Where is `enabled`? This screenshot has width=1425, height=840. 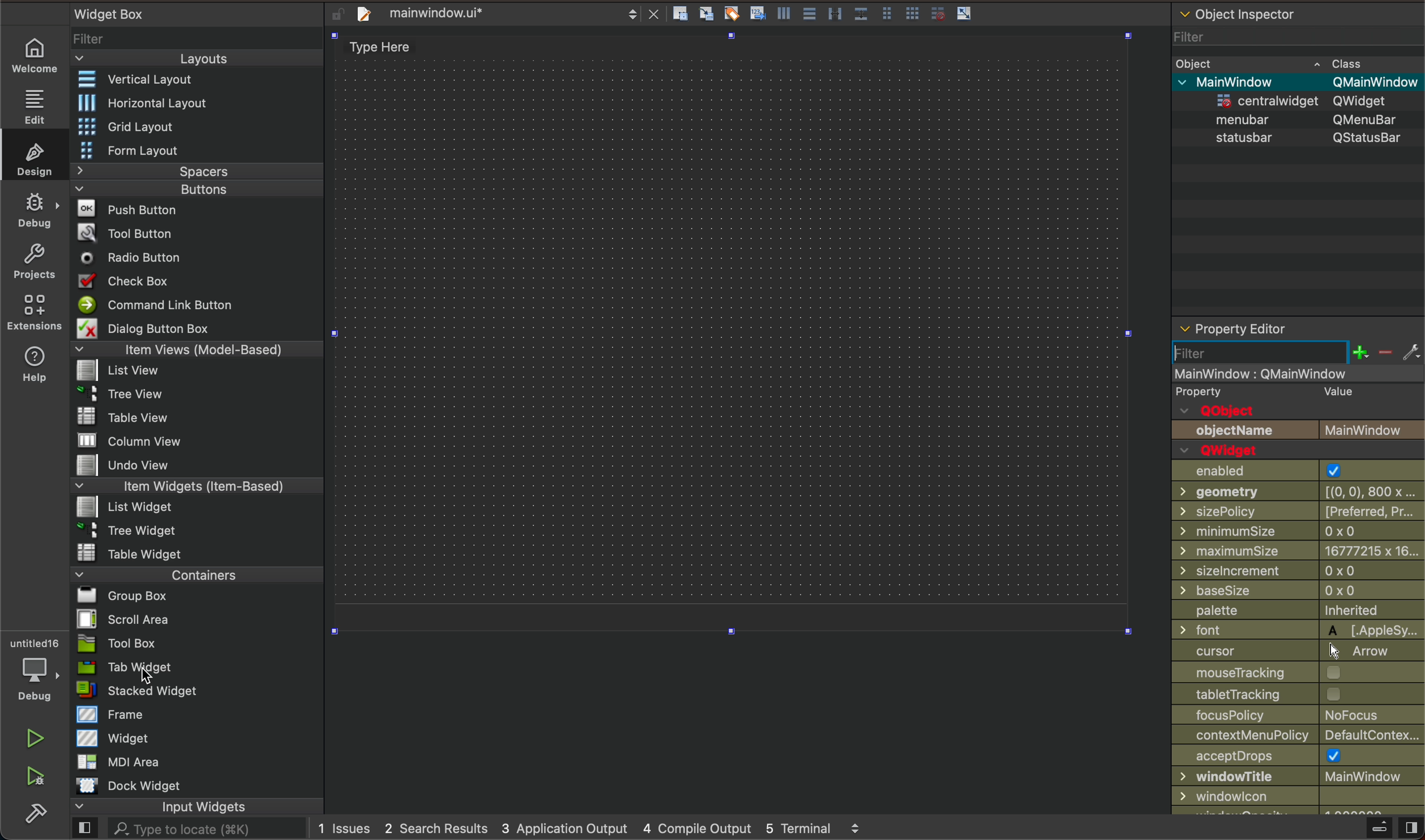
enabled is located at coordinates (1295, 470).